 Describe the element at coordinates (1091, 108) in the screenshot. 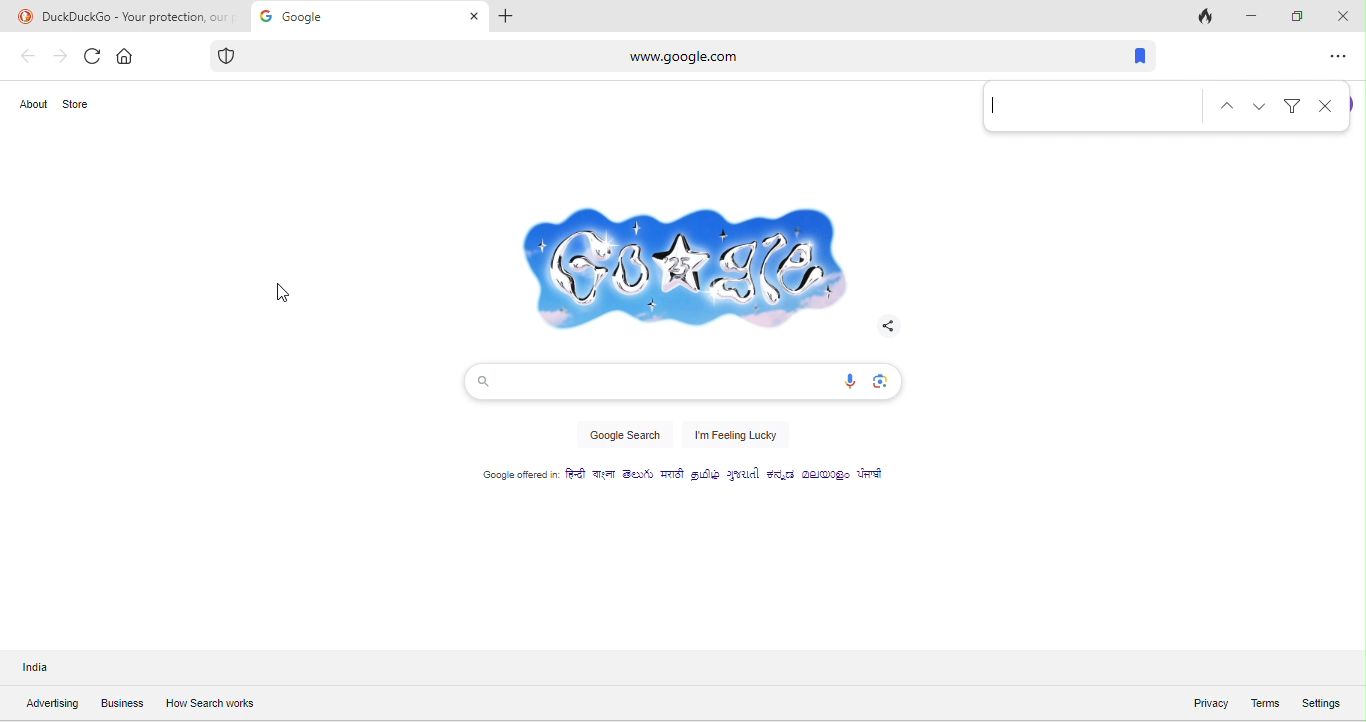

I see `Textfield` at that location.